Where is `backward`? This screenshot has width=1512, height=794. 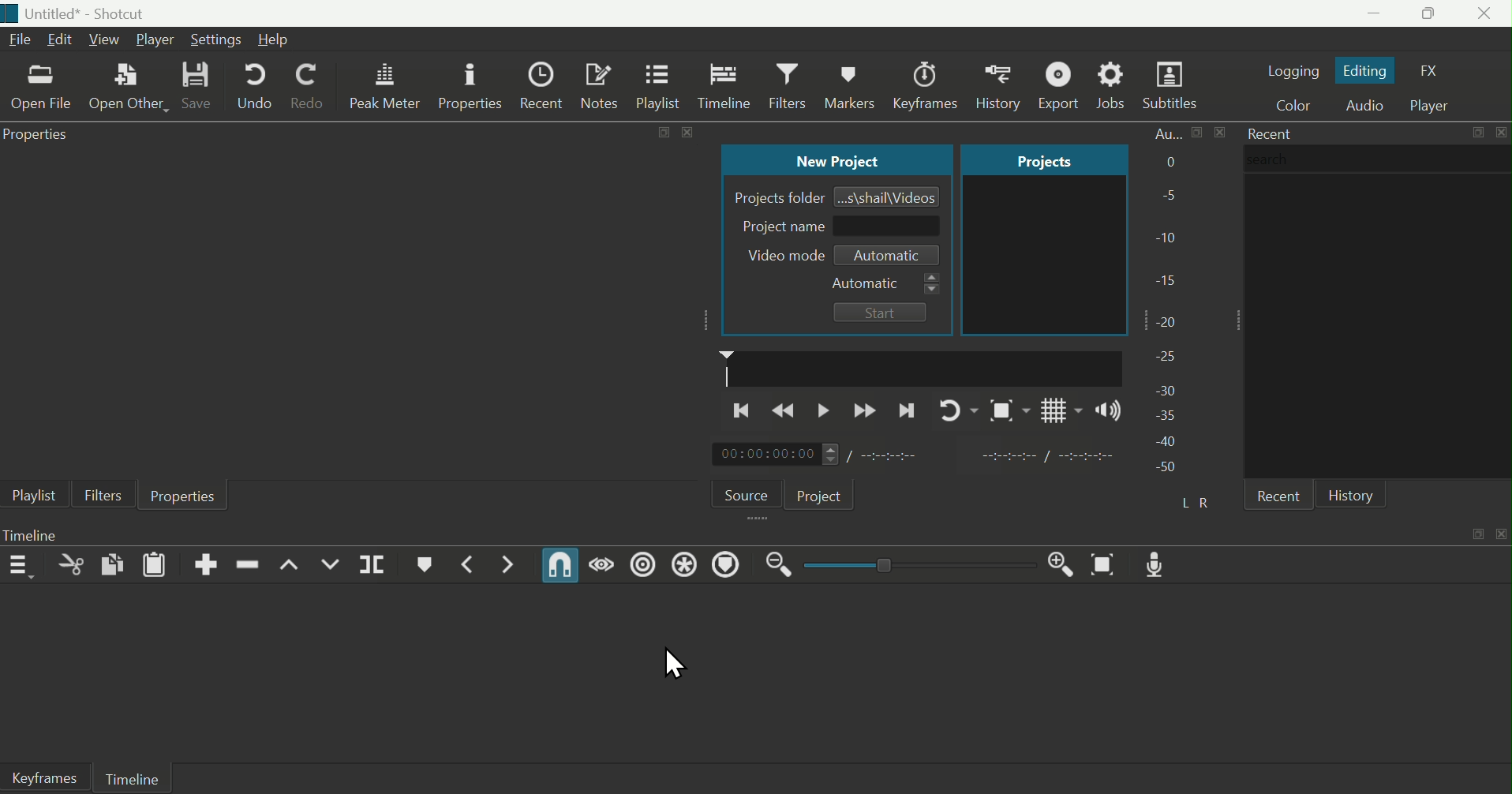
backward is located at coordinates (788, 412).